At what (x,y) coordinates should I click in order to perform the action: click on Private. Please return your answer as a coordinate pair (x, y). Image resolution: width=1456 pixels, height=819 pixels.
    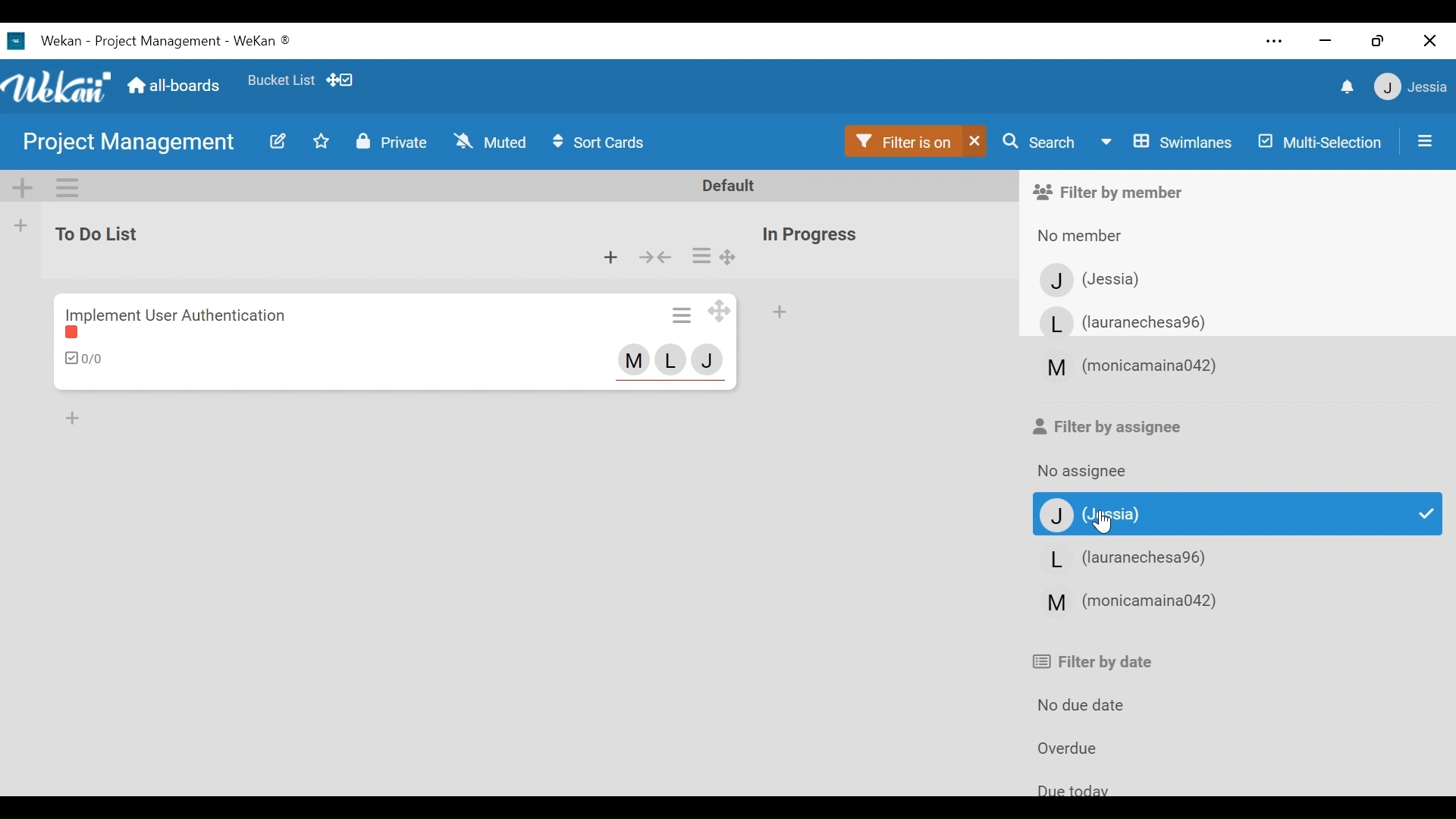
    Looking at the image, I should click on (393, 141).